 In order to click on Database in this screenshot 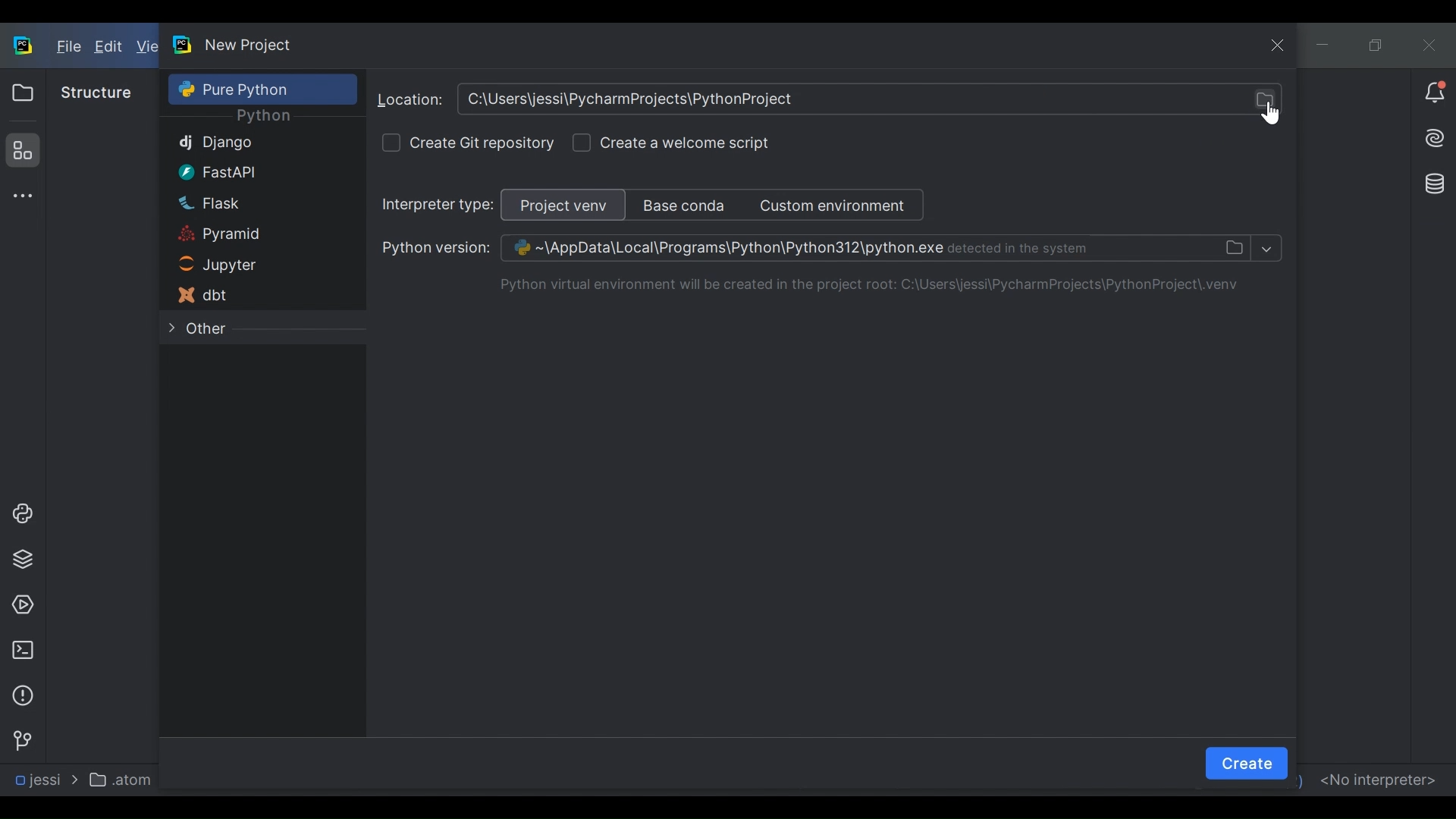, I will do `click(1431, 182)`.